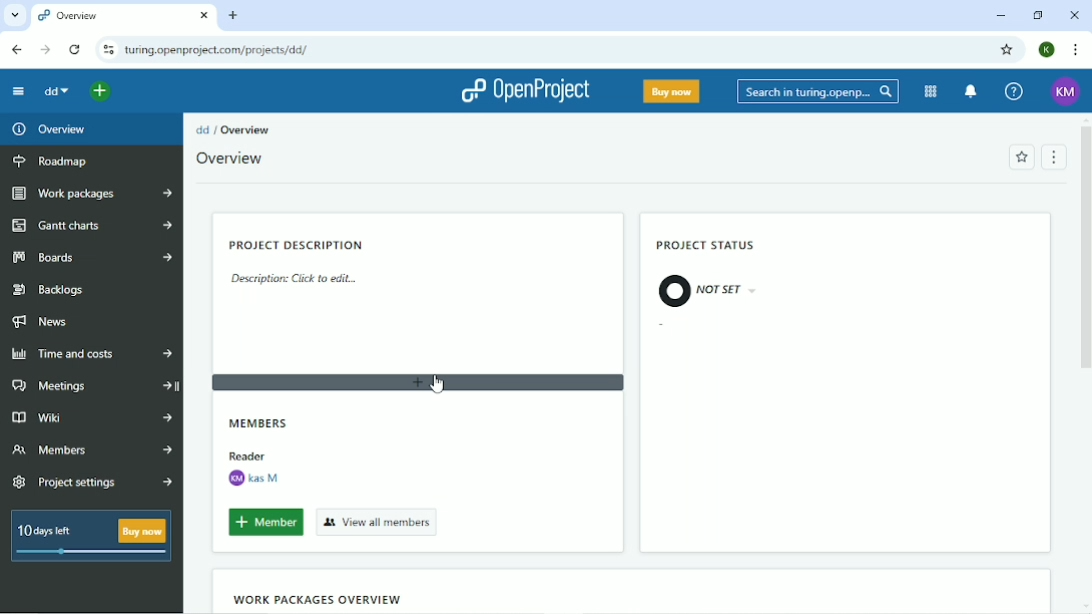 The height and width of the screenshot is (614, 1092). What do you see at coordinates (246, 130) in the screenshot?
I see `Overview` at bounding box center [246, 130].